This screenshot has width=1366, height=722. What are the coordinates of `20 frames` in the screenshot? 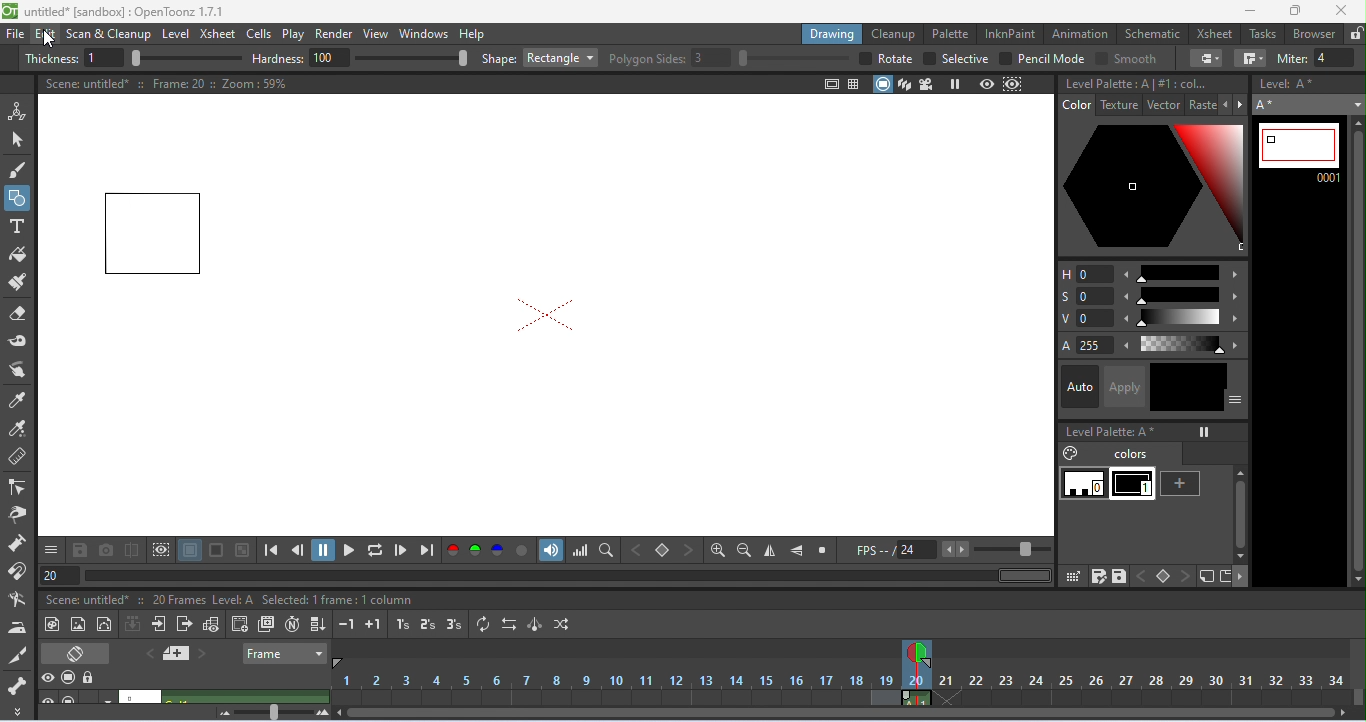 It's located at (171, 599).